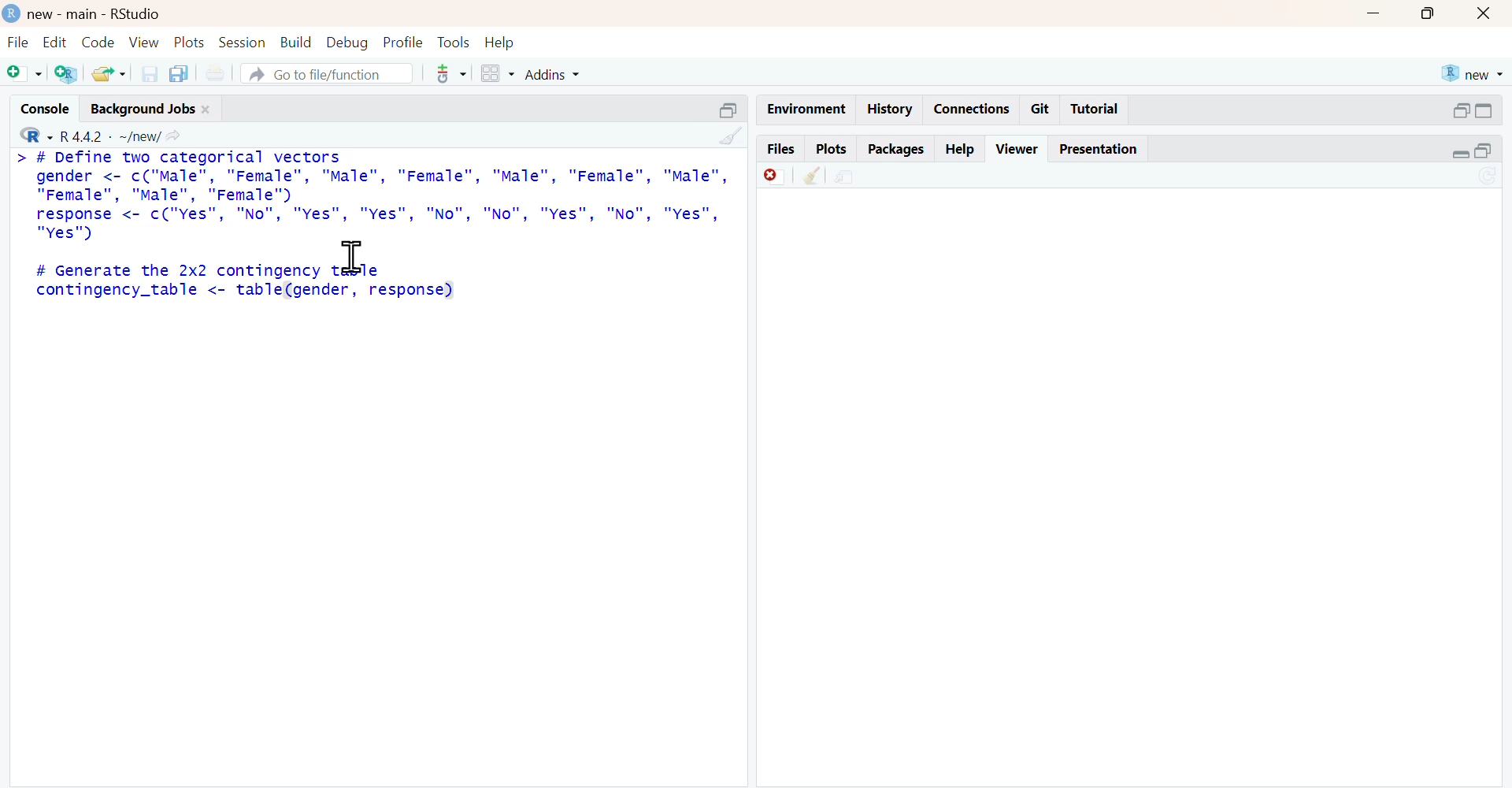 This screenshot has width=1512, height=788. Describe the element at coordinates (97, 15) in the screenshot. I see `new - main - RStudio` at that location.